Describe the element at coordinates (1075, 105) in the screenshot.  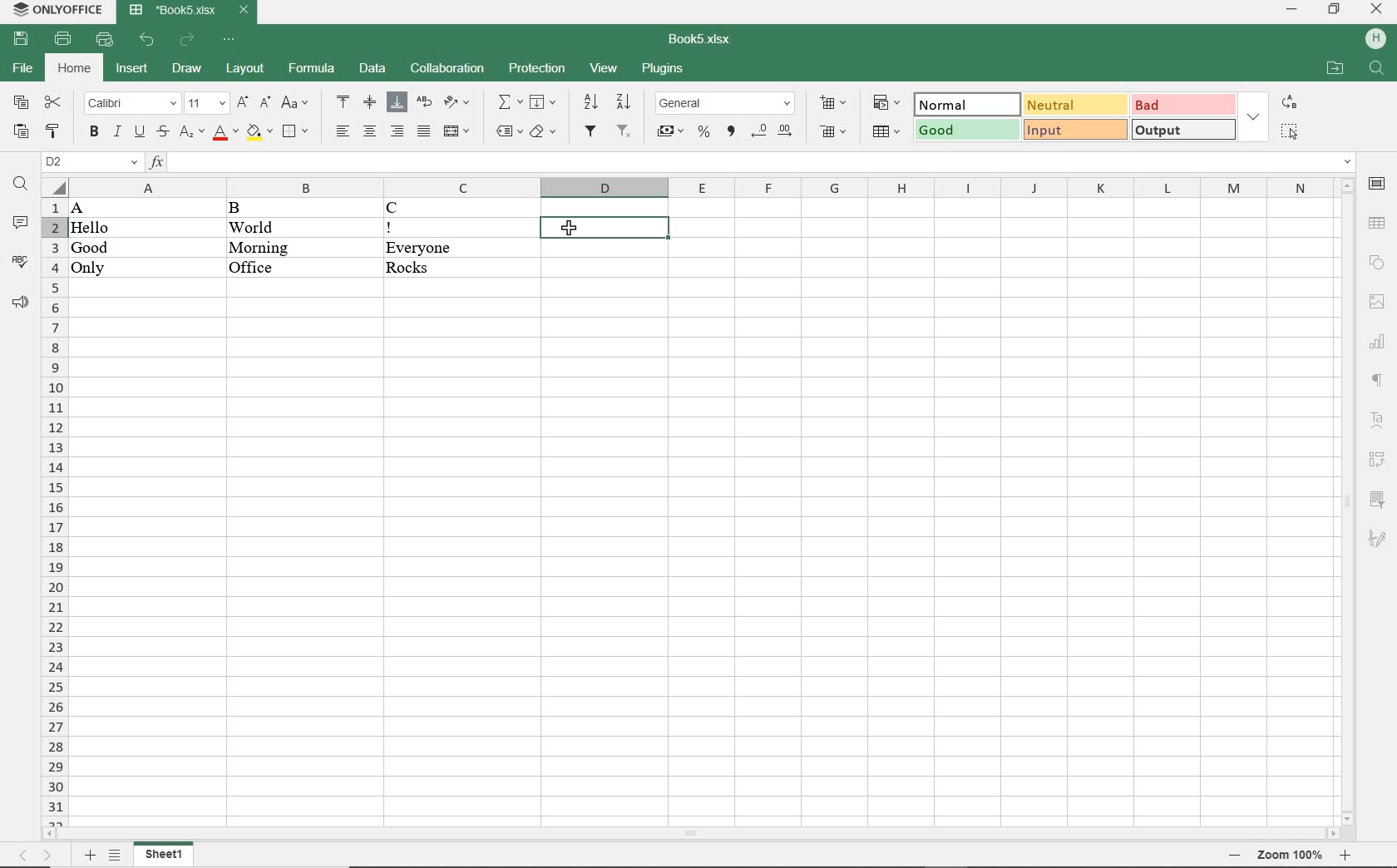
I see `NEUTRAL` at that location.